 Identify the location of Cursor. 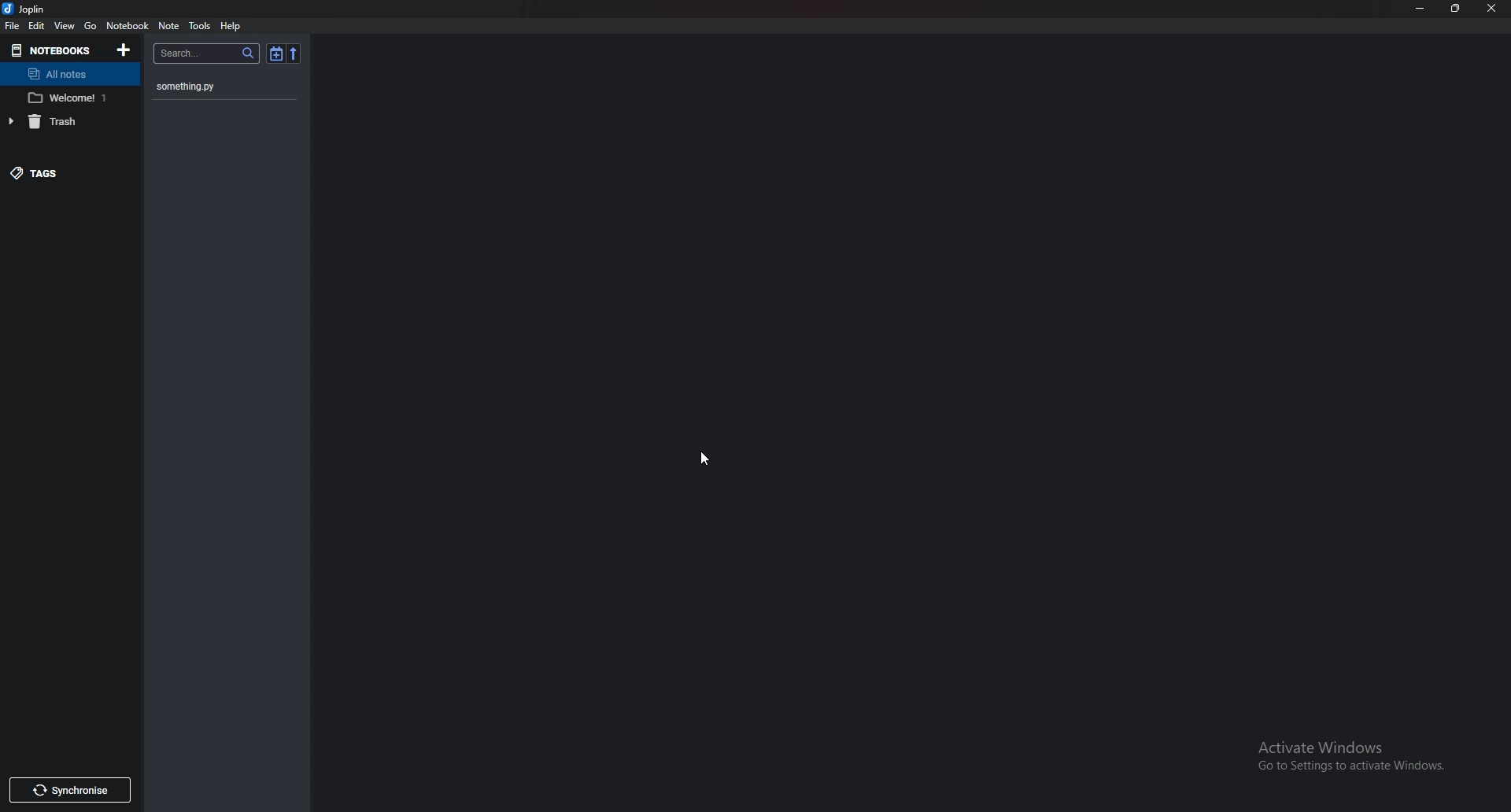
(702, 459).